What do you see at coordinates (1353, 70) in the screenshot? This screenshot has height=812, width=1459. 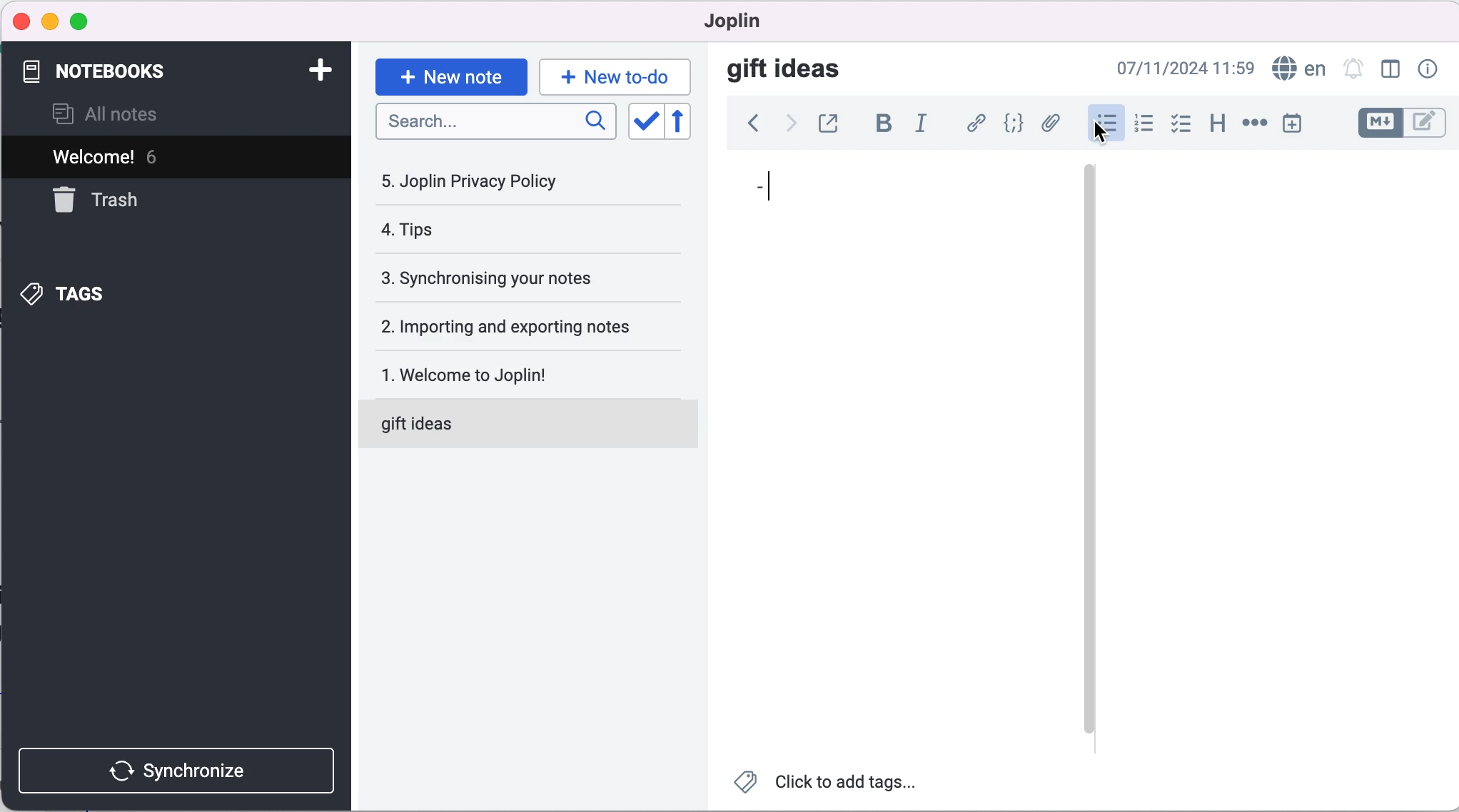 I see `set alarm` at bounding box center [1353, 70].